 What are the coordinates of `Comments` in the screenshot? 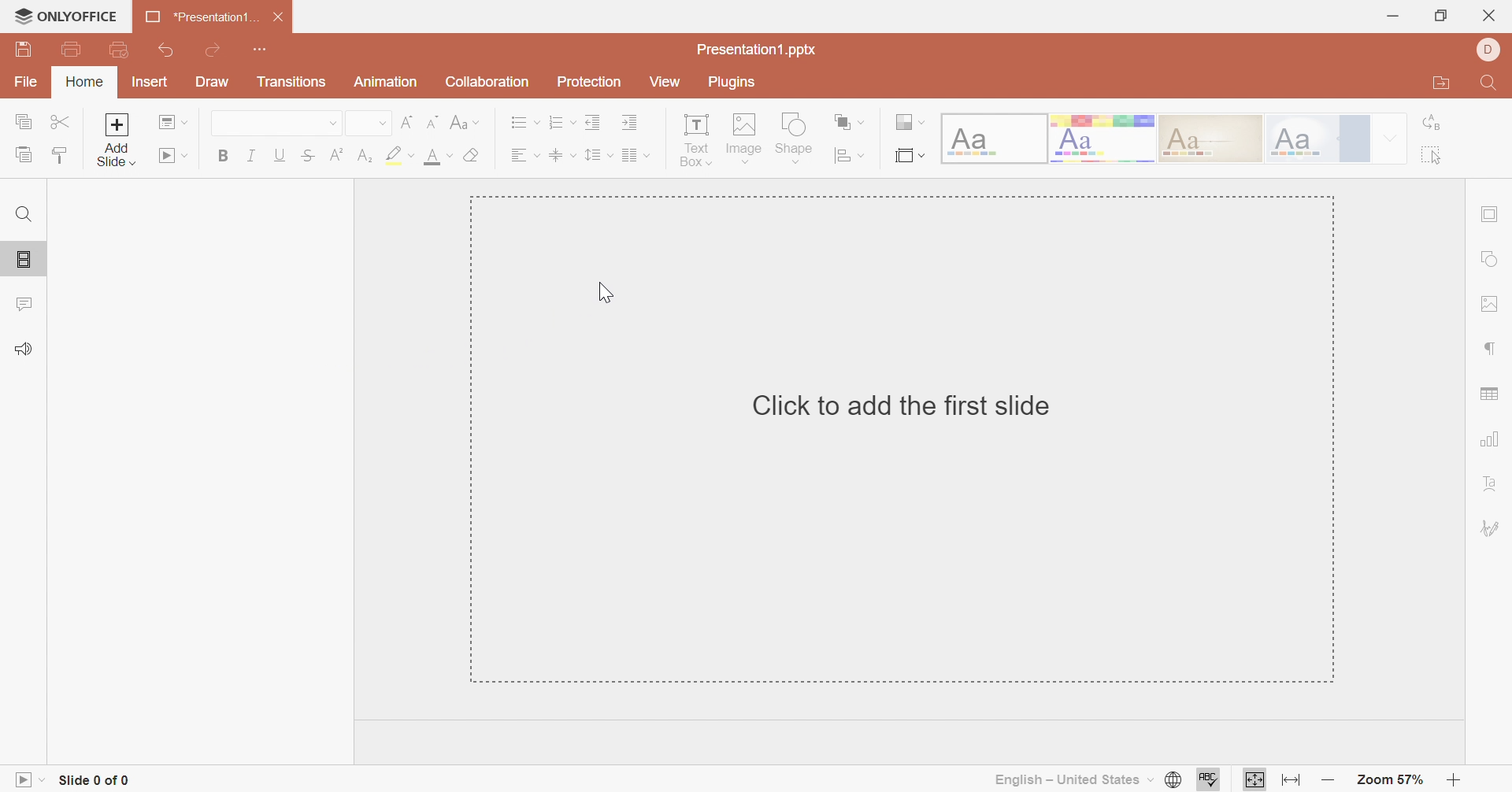 It's located at (22, 304).